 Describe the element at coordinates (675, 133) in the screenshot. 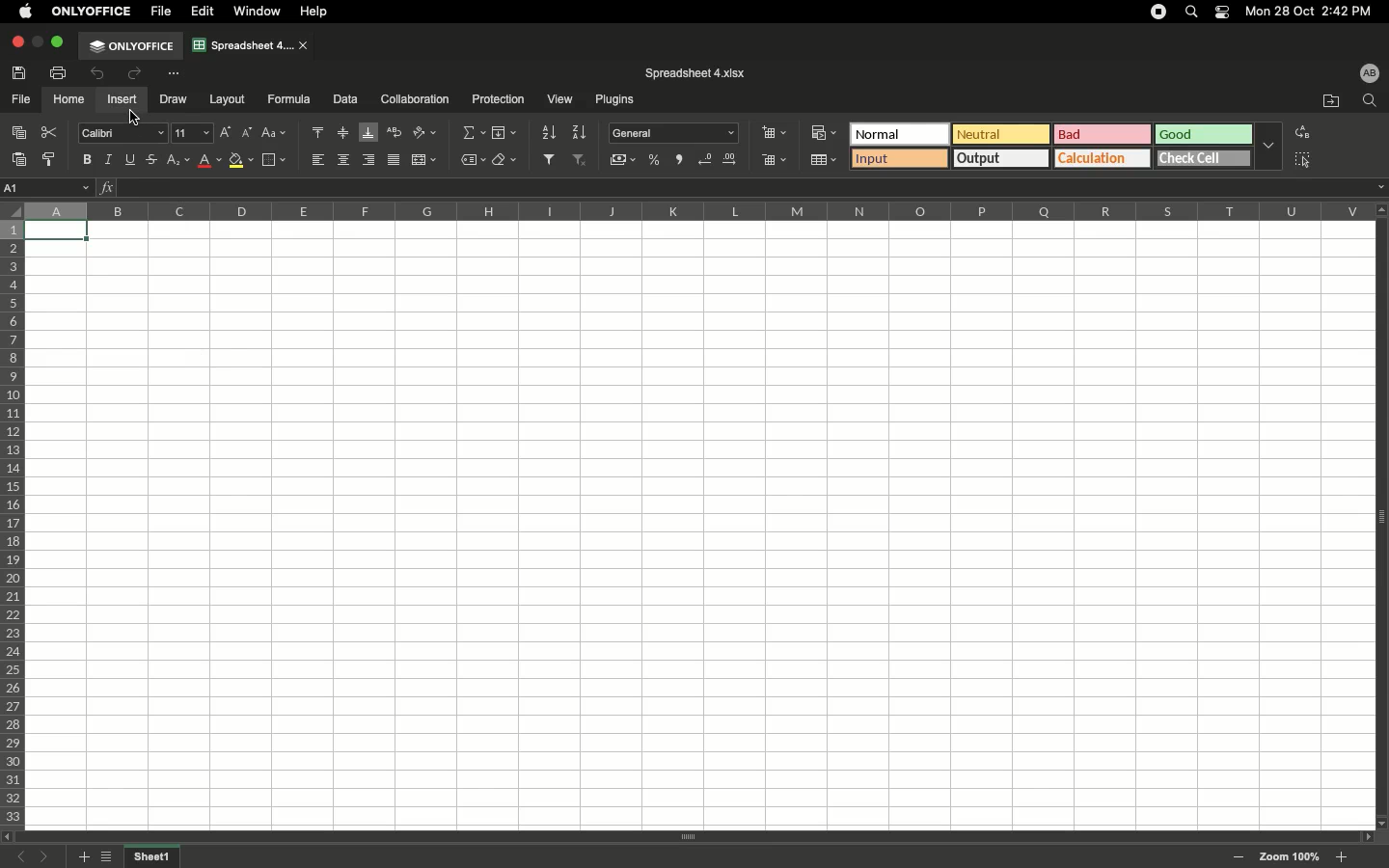

I see `Number format` at that location.